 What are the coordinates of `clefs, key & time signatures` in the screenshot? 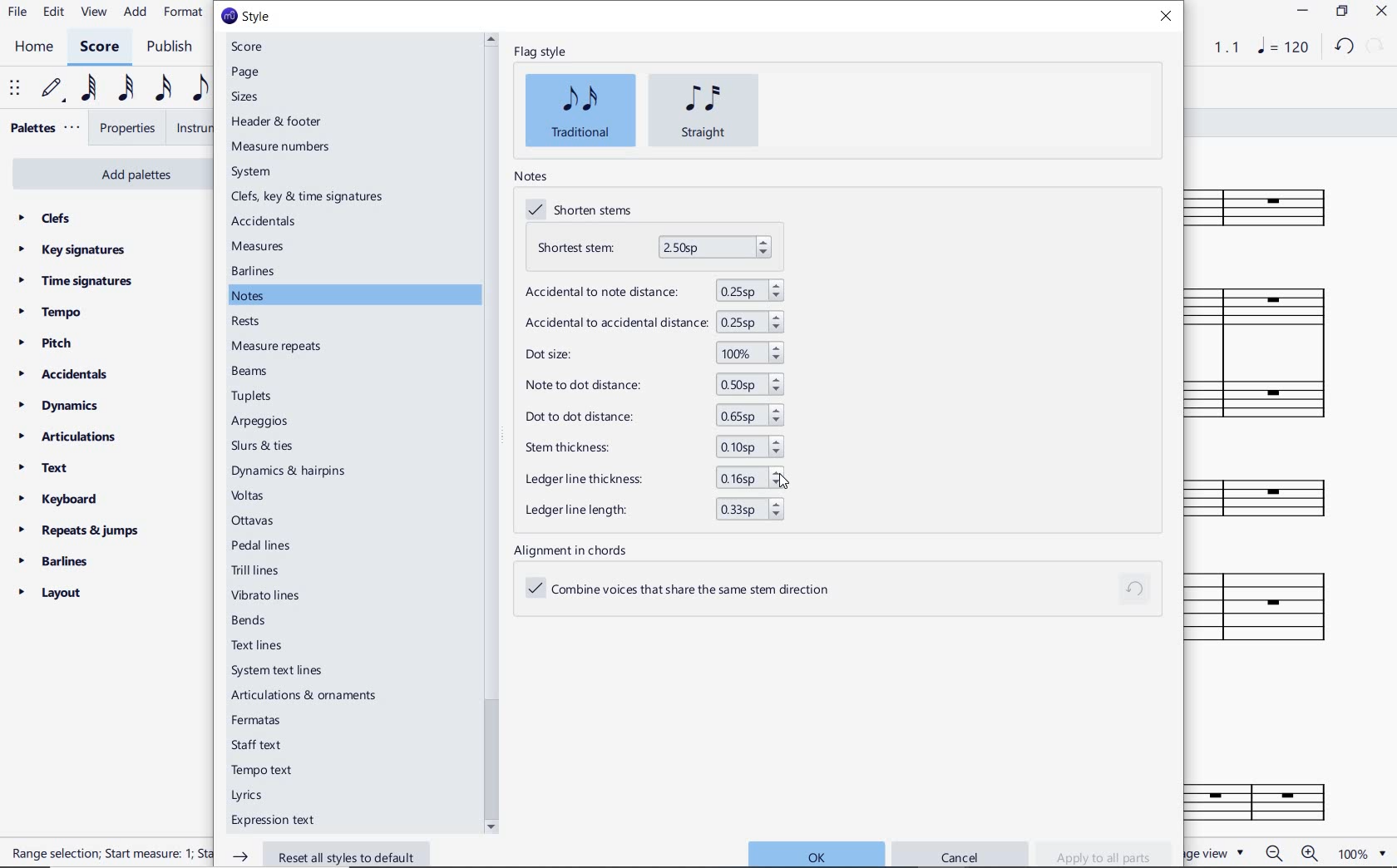 It's located at (309, 197).